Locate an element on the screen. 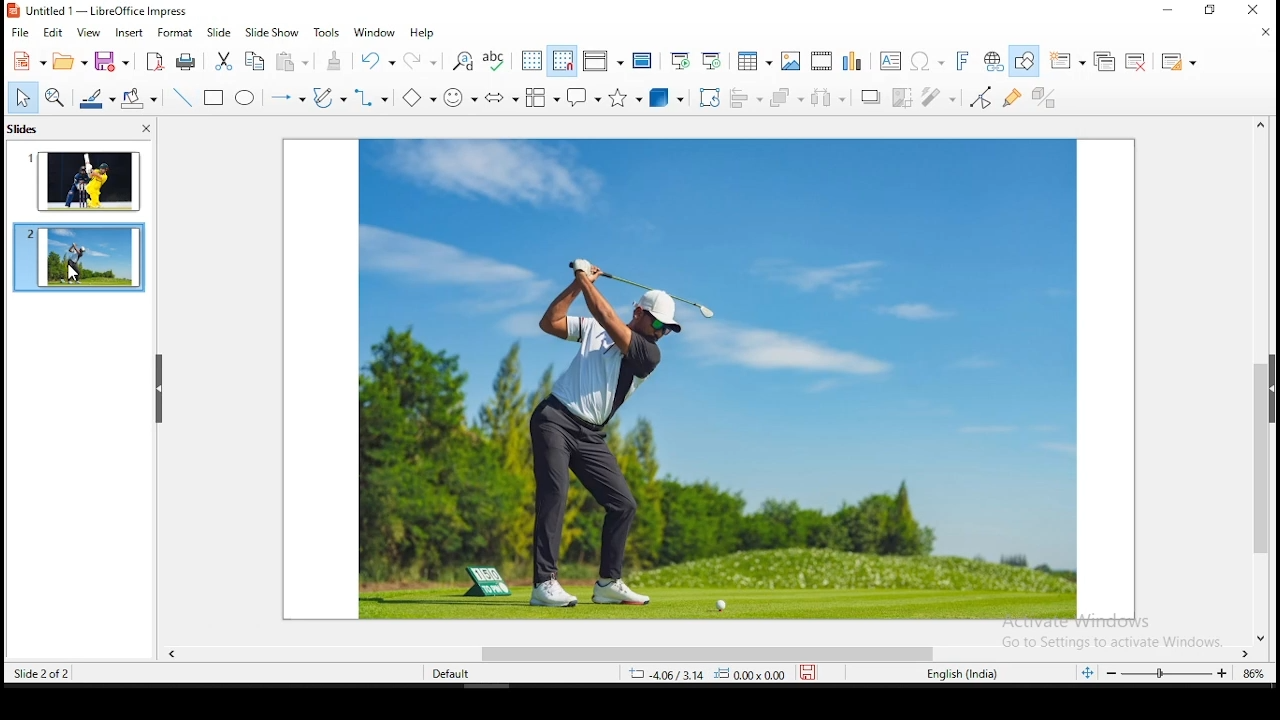  curves and polygons is located at coordinates (328, 99).